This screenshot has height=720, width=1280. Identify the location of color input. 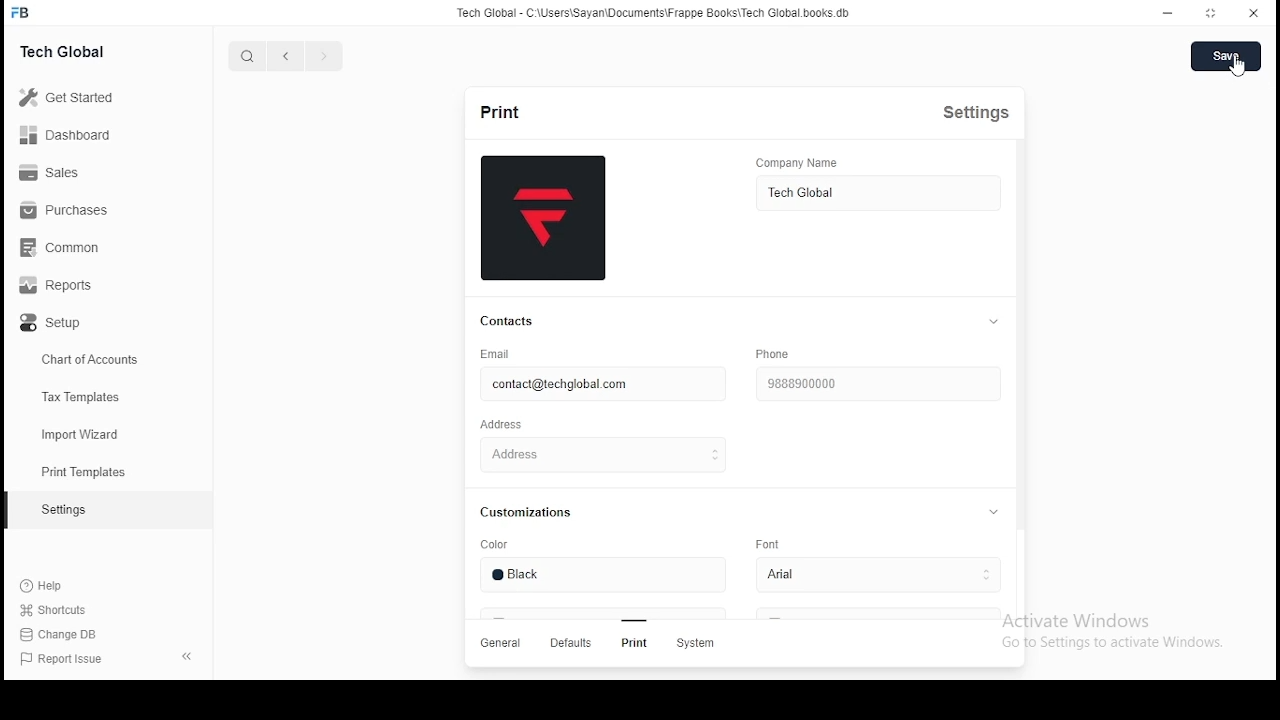
(600, 579).